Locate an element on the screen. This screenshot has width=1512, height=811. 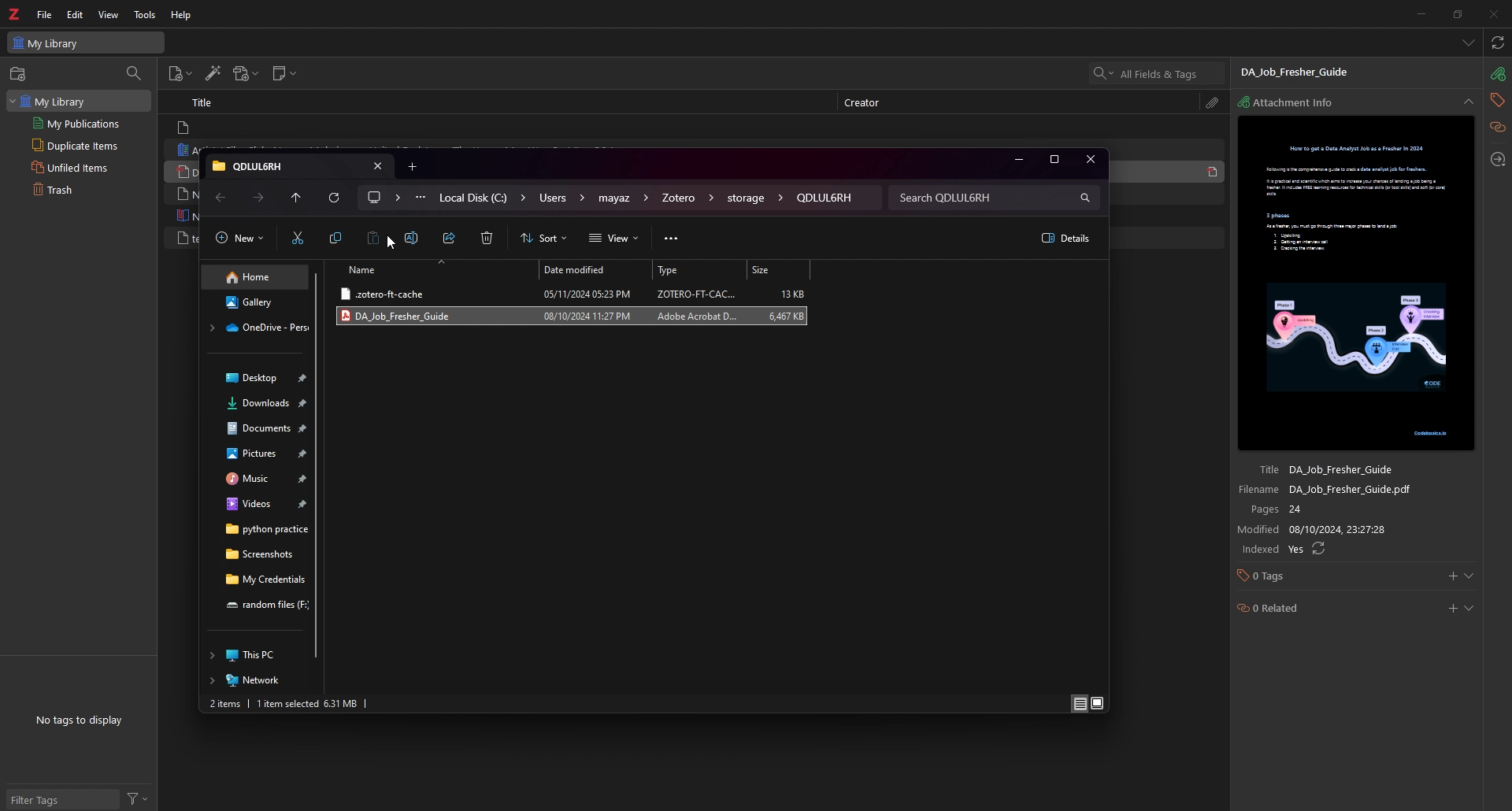
pictures is located at coordinates (259, 454).